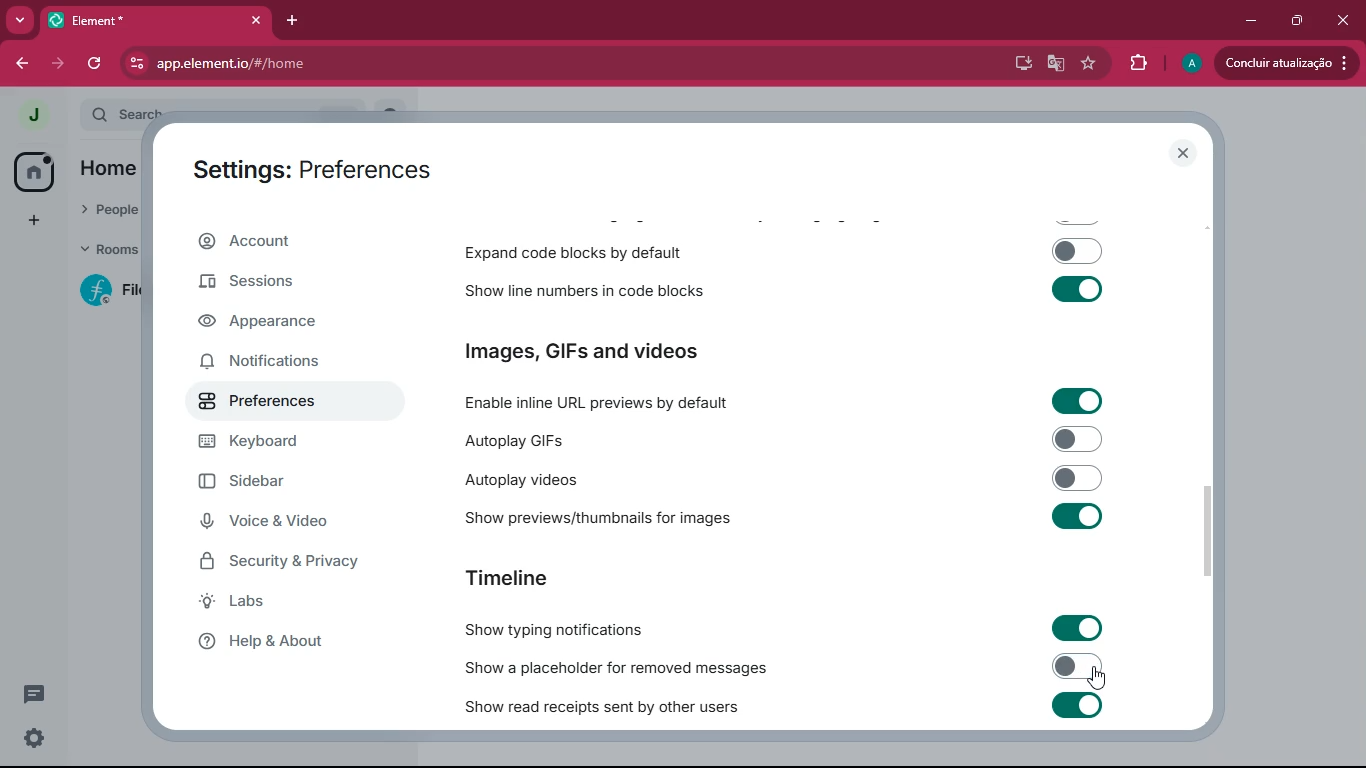 The image size is (1366, 768). What do you see at coordinates (256, 20) in the screenshot?
I see `close tab` at bounding box center [256, 20].